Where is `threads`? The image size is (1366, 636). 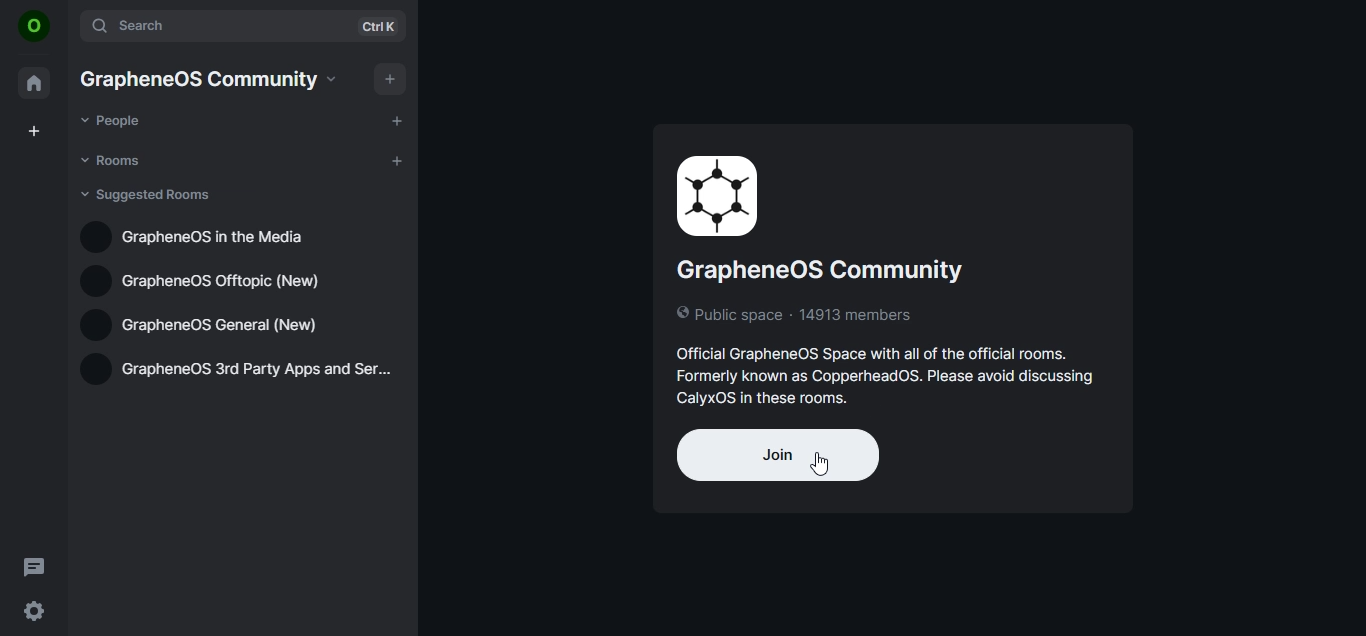 threads is located at coordinates (35, 566).